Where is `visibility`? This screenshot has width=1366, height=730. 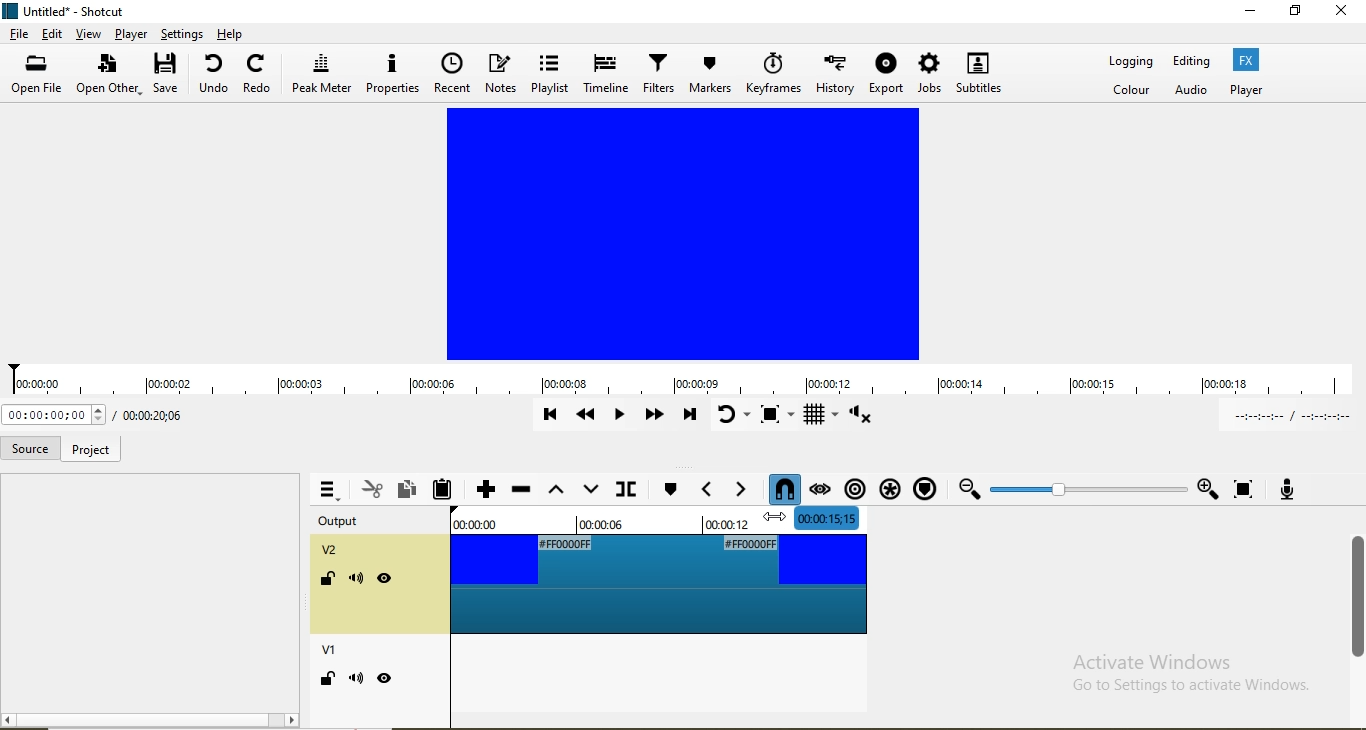
visibility is located at coordinates (385, 579).